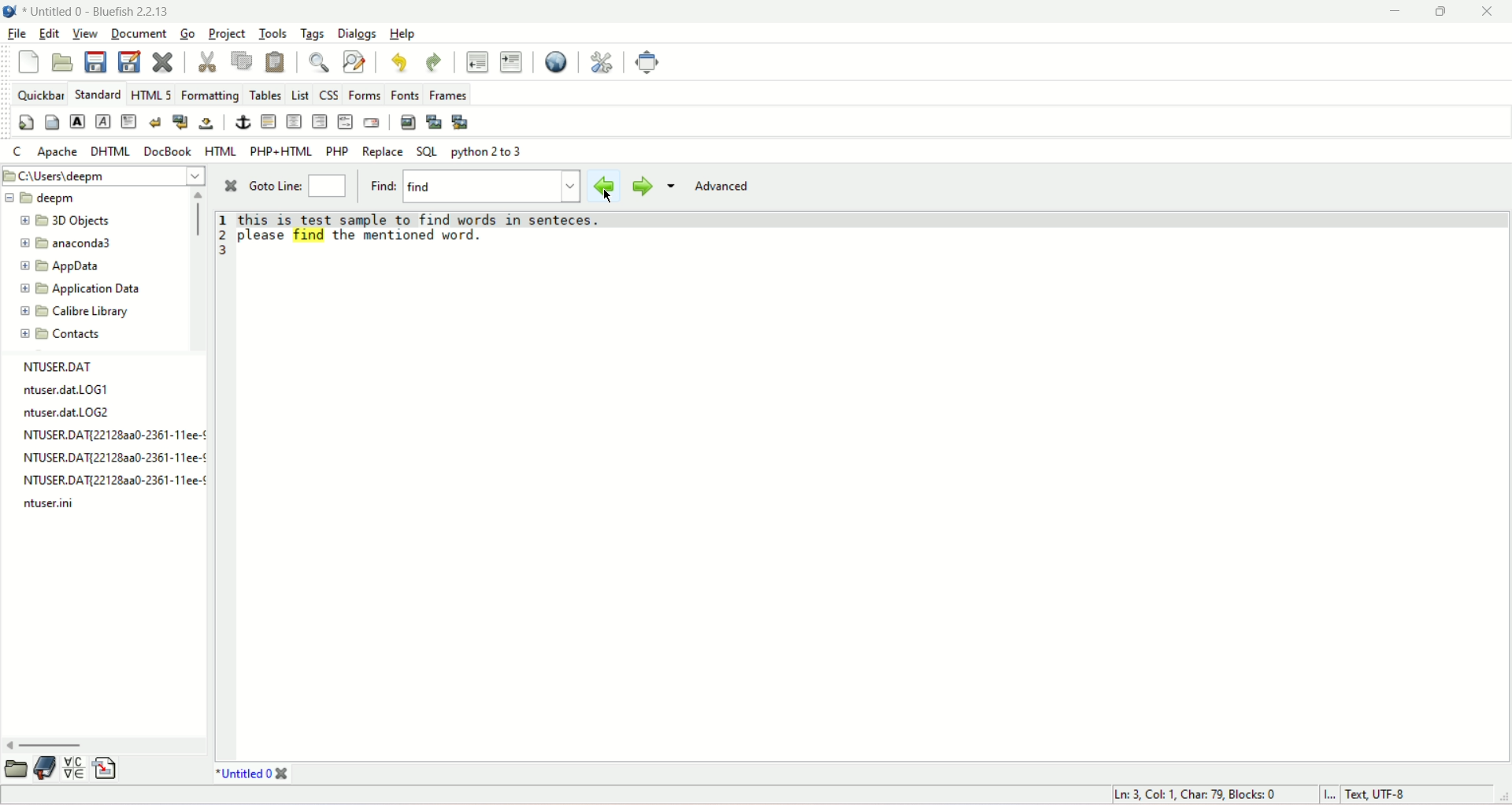 The height and width of the screenshot is (805, 1512). Describe the element at coordinates (280, 151) in the screenshot. I see `PHP+HTML` at that location.